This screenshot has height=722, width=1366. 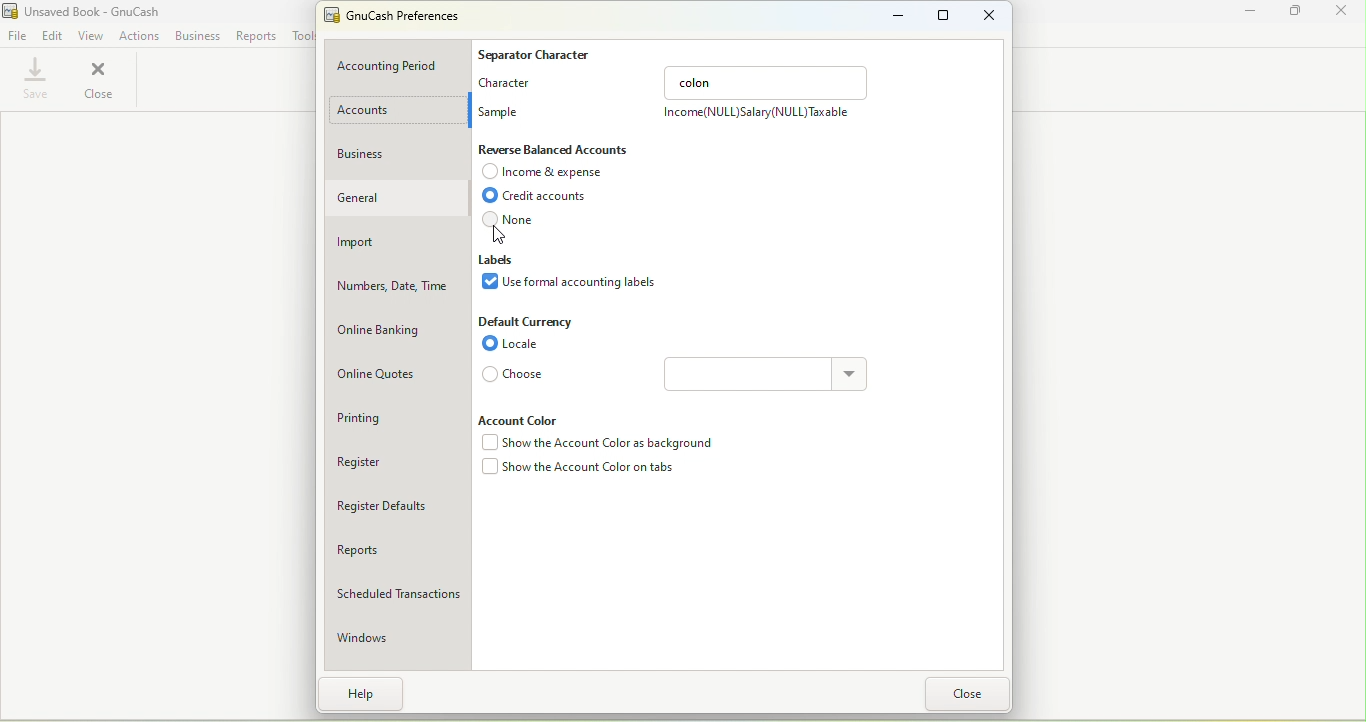 I want to click on Printing, so click(x=397, y=420).